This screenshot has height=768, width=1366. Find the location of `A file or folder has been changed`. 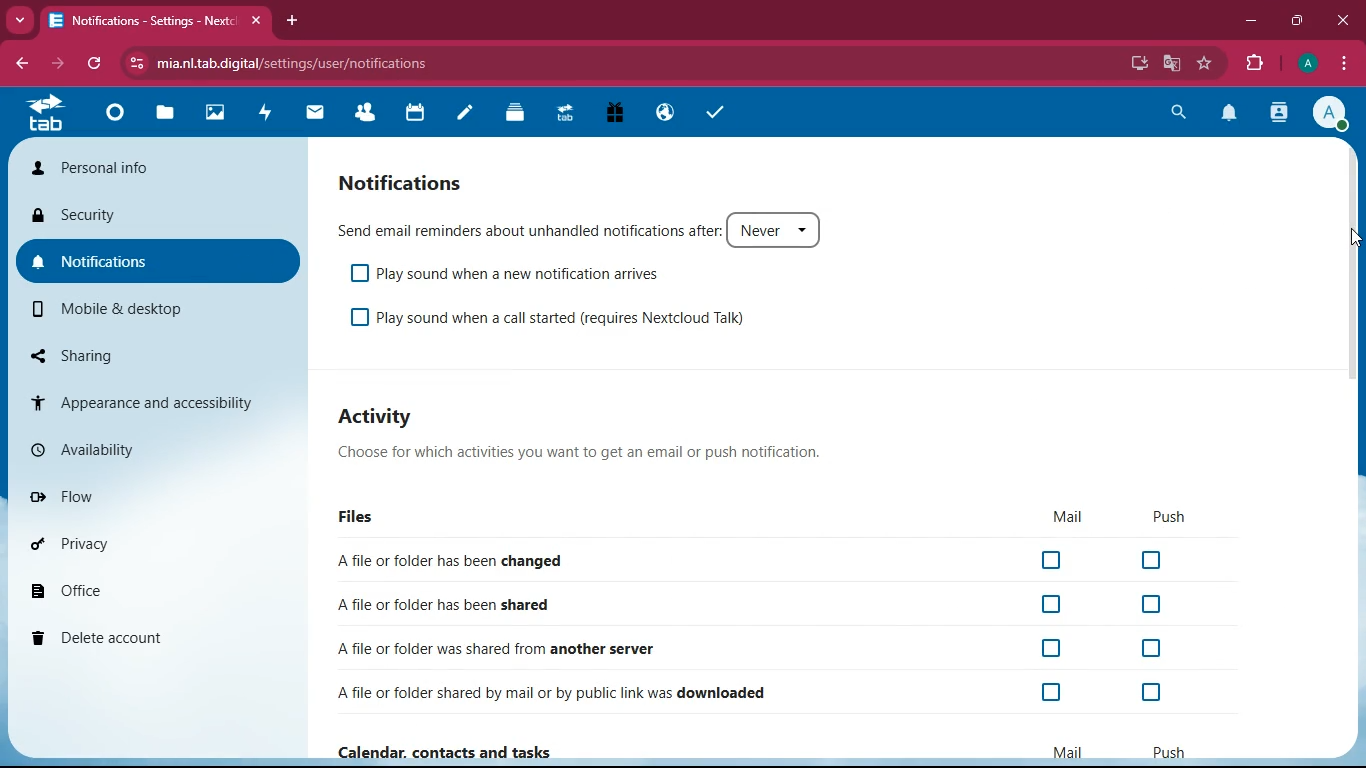

A file or folder has been changed is located at coordinates (757, 562).